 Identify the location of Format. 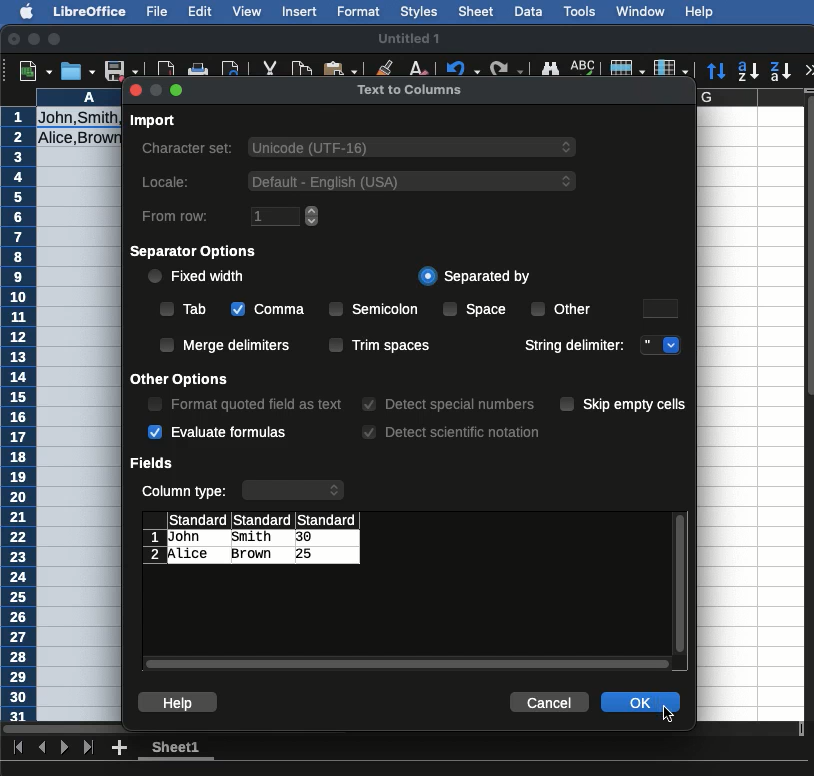
(360, 13).